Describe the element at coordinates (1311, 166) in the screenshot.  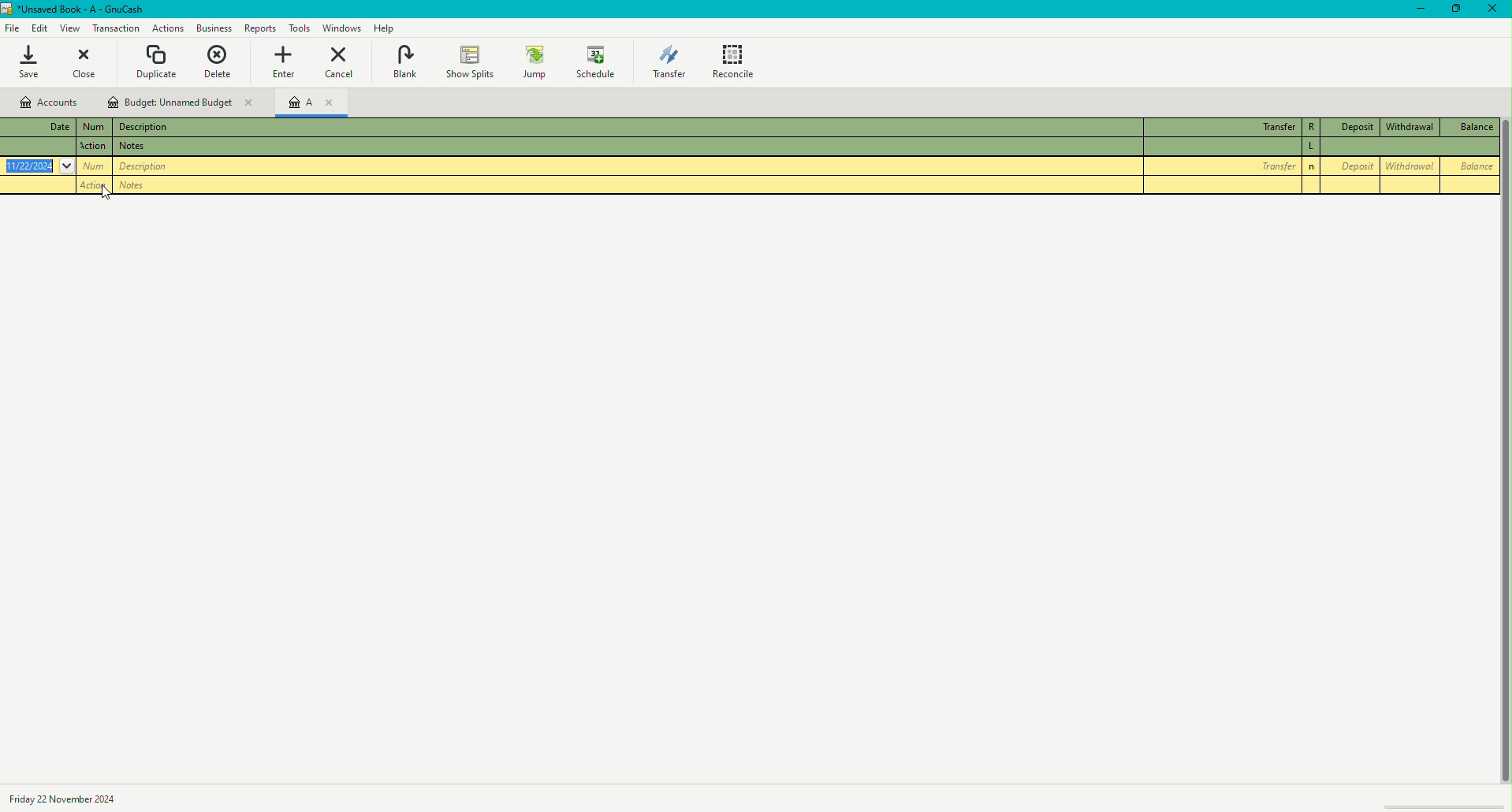
I see `n` at that location.